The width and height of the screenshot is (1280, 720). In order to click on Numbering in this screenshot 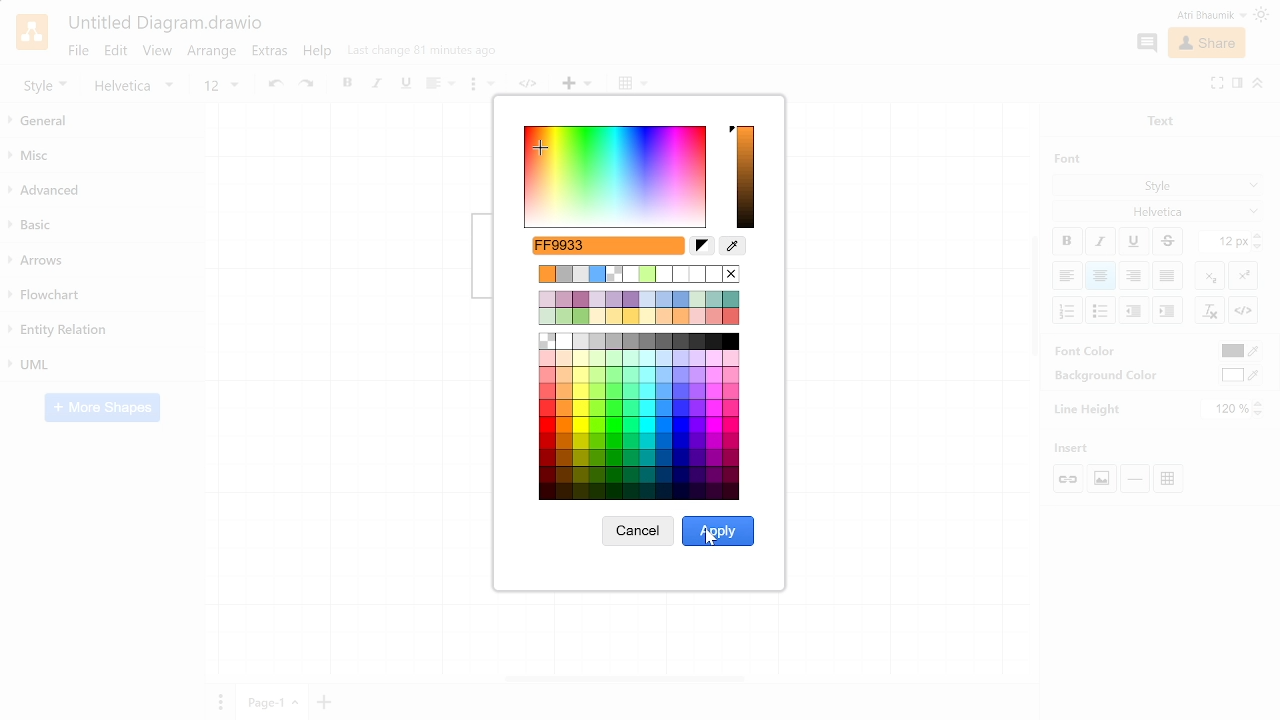, I will do `click(1068, 311)`.